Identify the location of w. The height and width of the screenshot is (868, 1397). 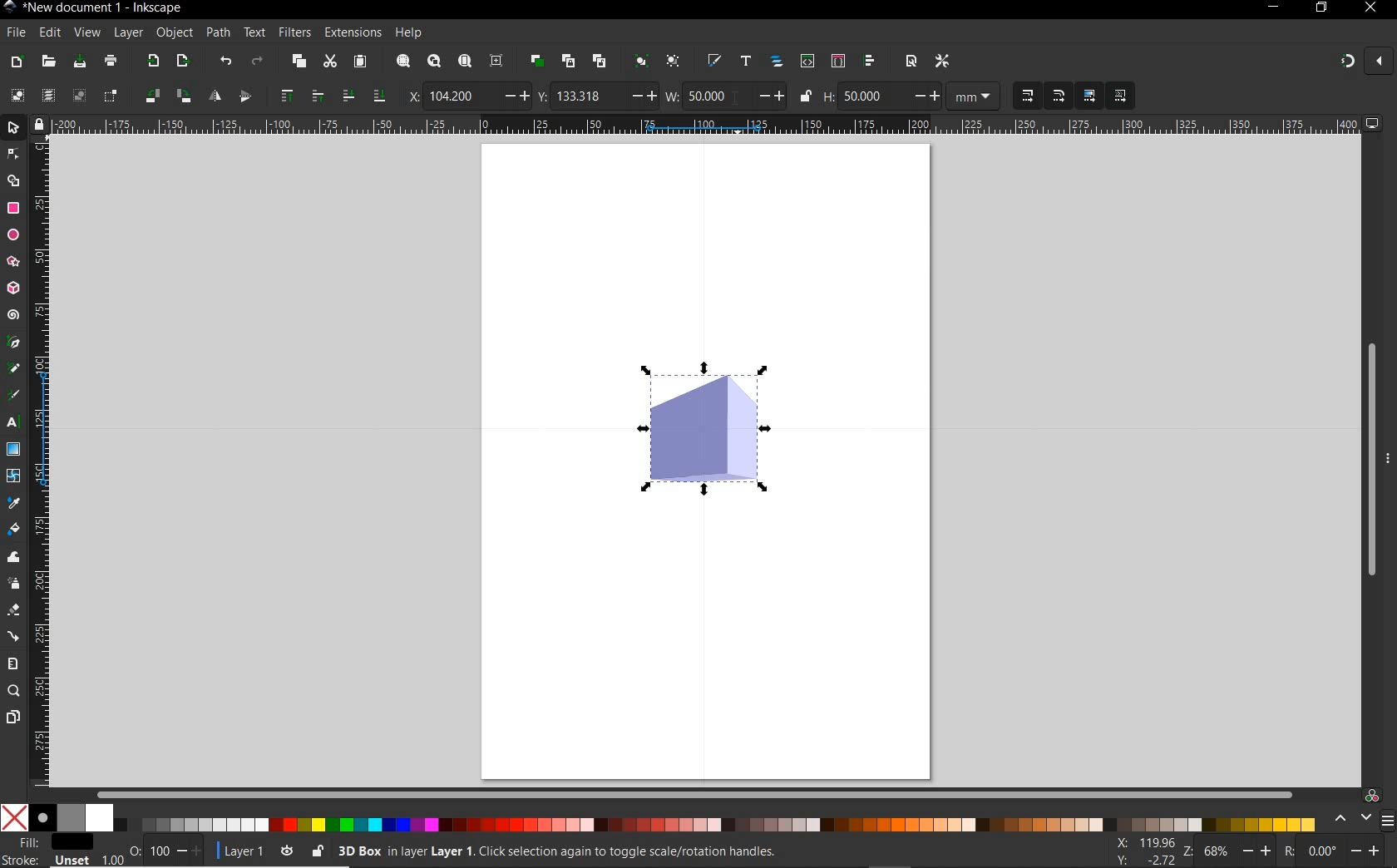
(672, 96).